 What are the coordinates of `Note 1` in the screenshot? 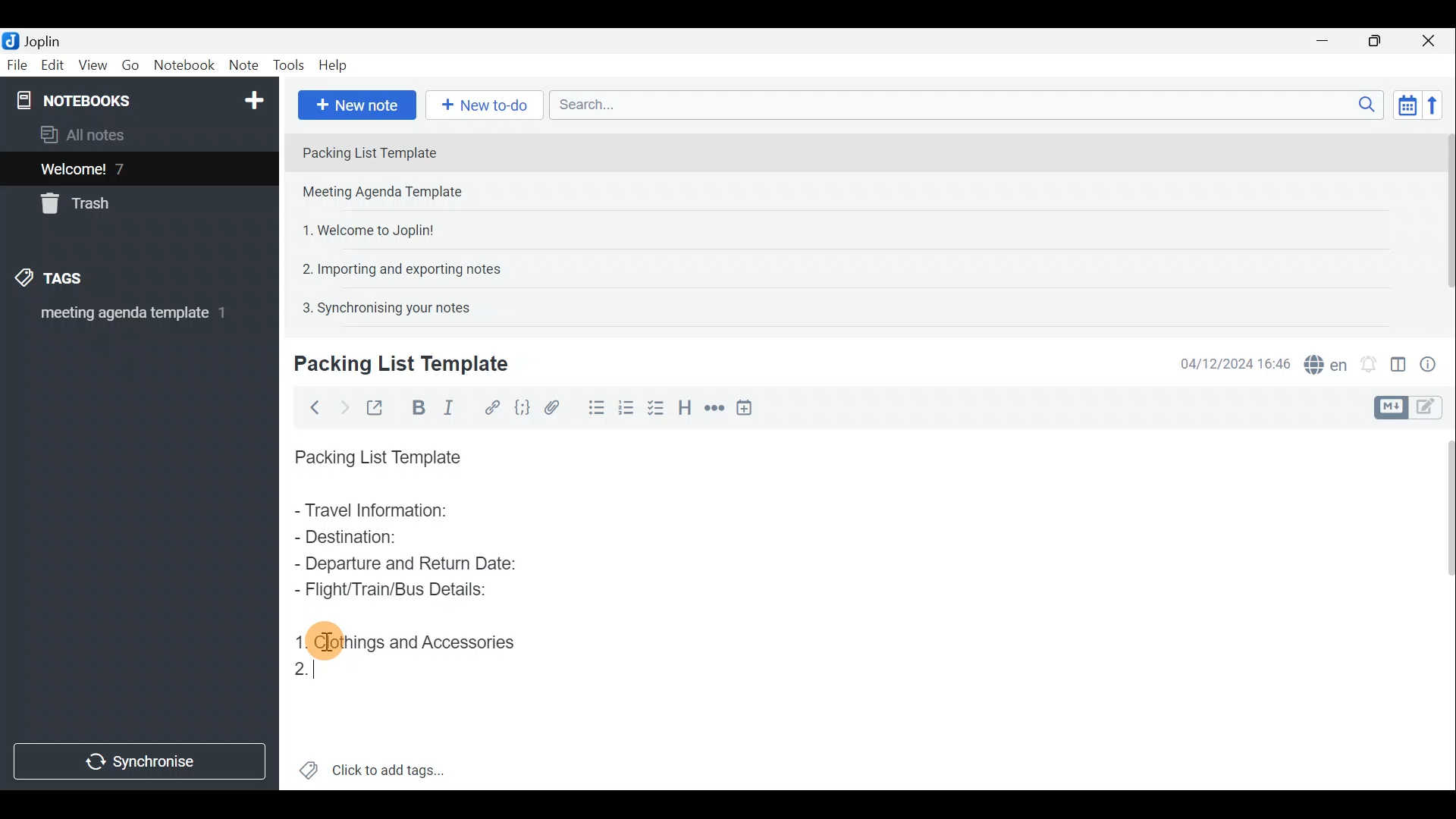 It's located at (424, 151).